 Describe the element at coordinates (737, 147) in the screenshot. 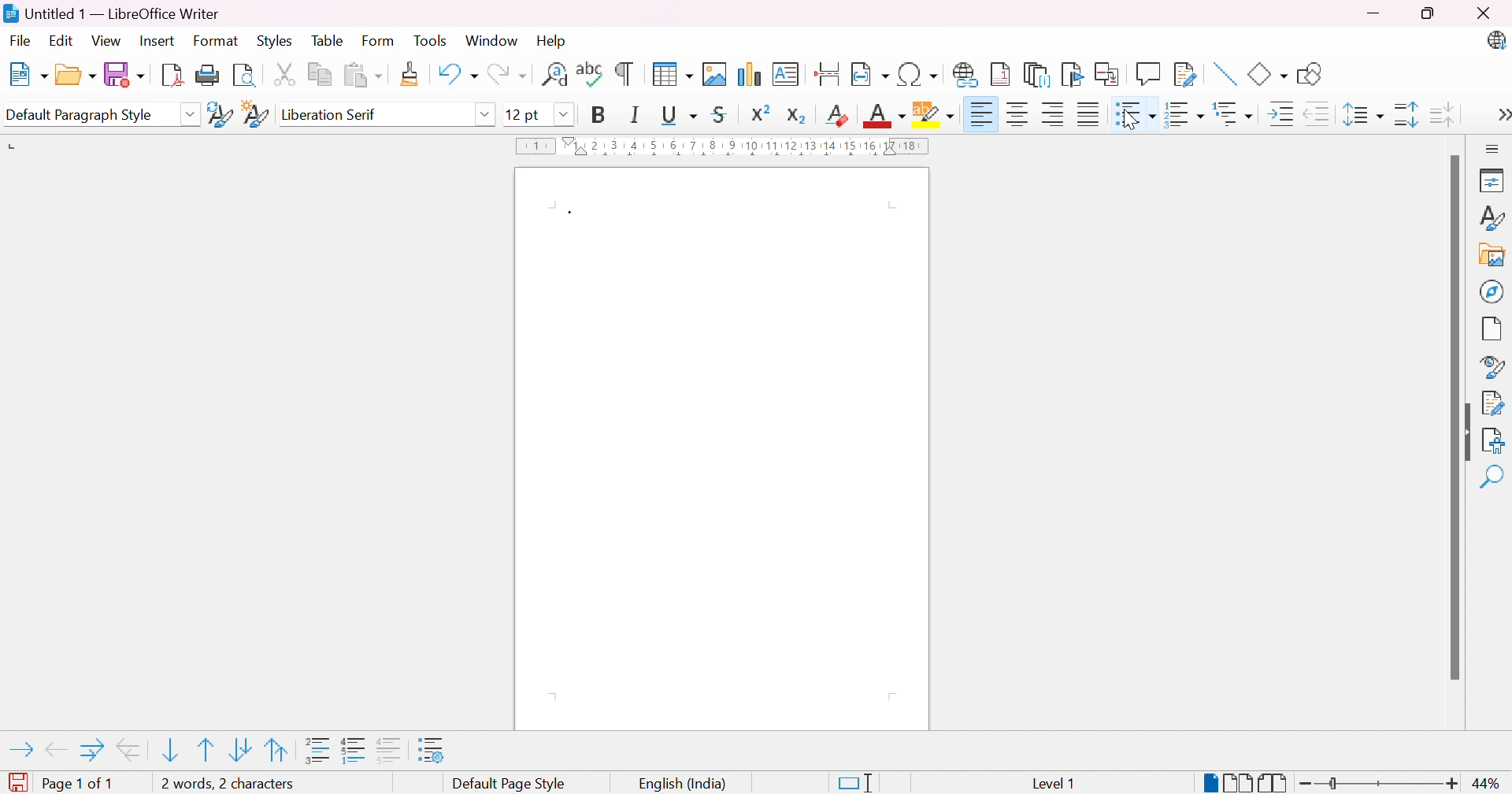

I see `Ruler` at that location.